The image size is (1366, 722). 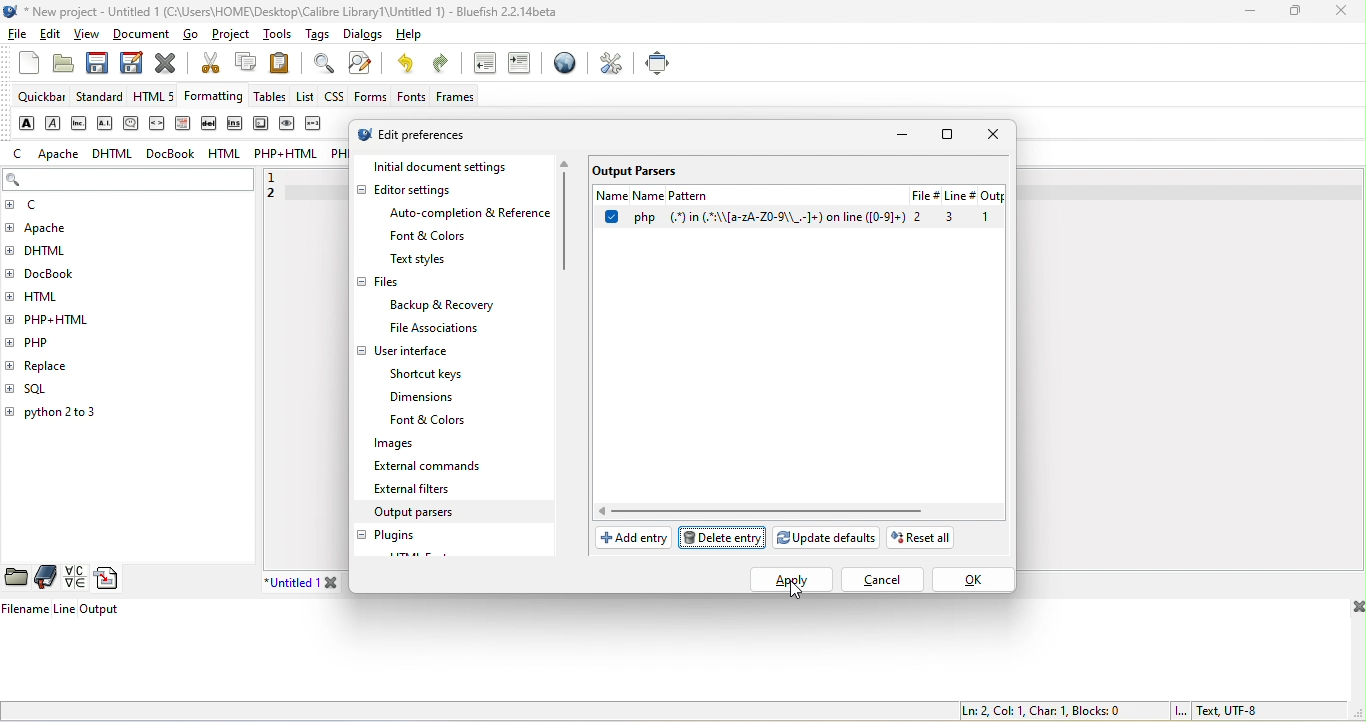 I want to click on document, so click(x=144, y=35).